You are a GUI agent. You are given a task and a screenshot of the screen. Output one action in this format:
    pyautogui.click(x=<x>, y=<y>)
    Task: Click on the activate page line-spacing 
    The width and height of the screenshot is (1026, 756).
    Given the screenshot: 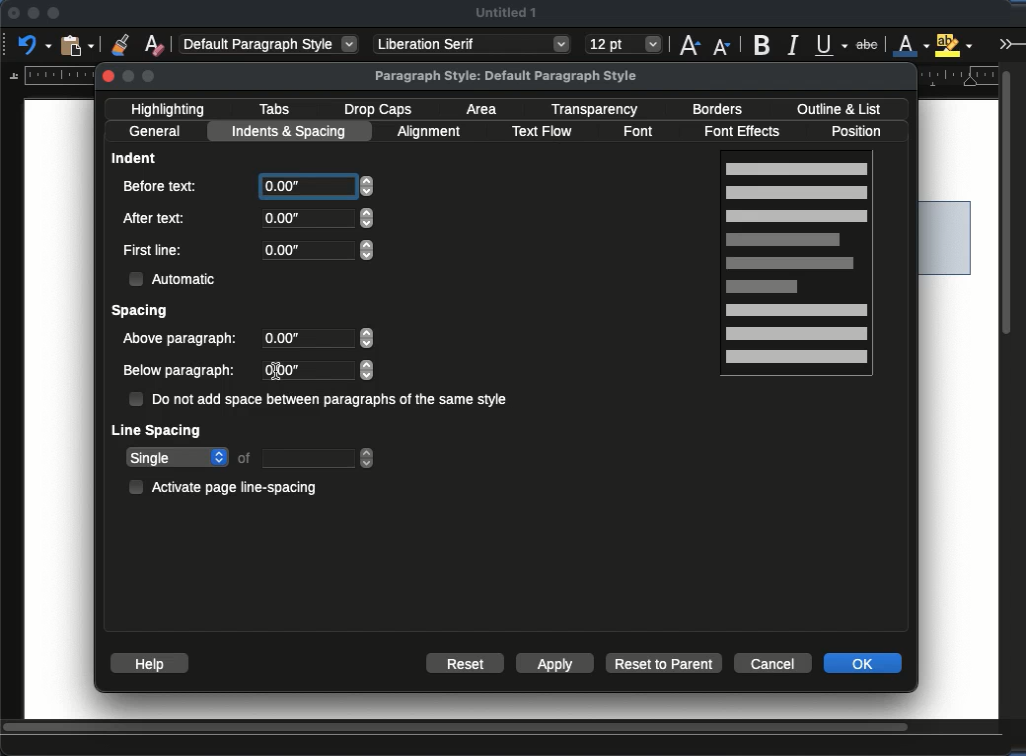 What is the action you would take?
    pyautogui.click(x=228, y=486)
    